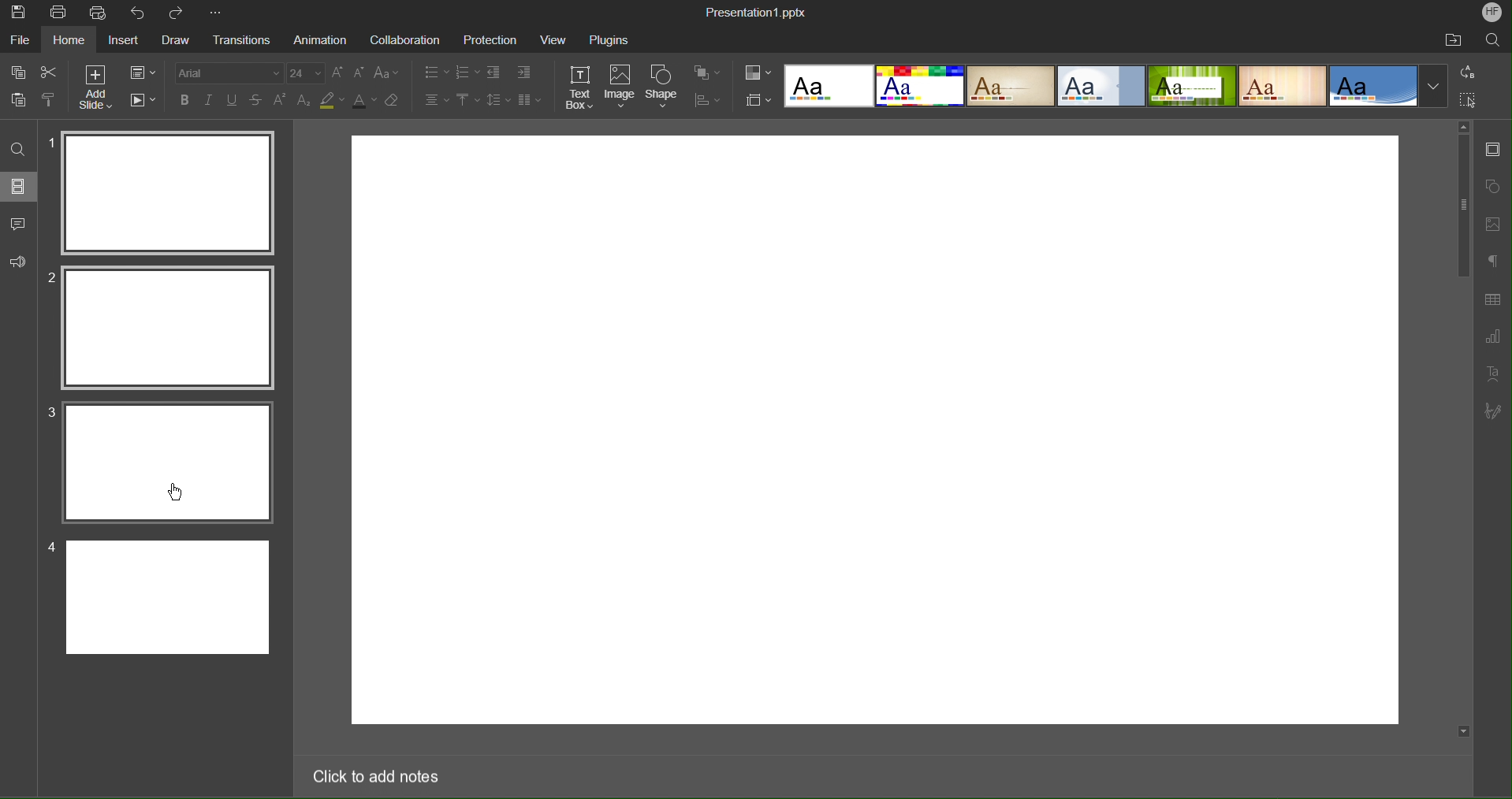 Image resolution: width=1512 pixels, height=799 pixels. Describe the element at coordinates (19, 74) in the screenshot. I see `copy` at that location.